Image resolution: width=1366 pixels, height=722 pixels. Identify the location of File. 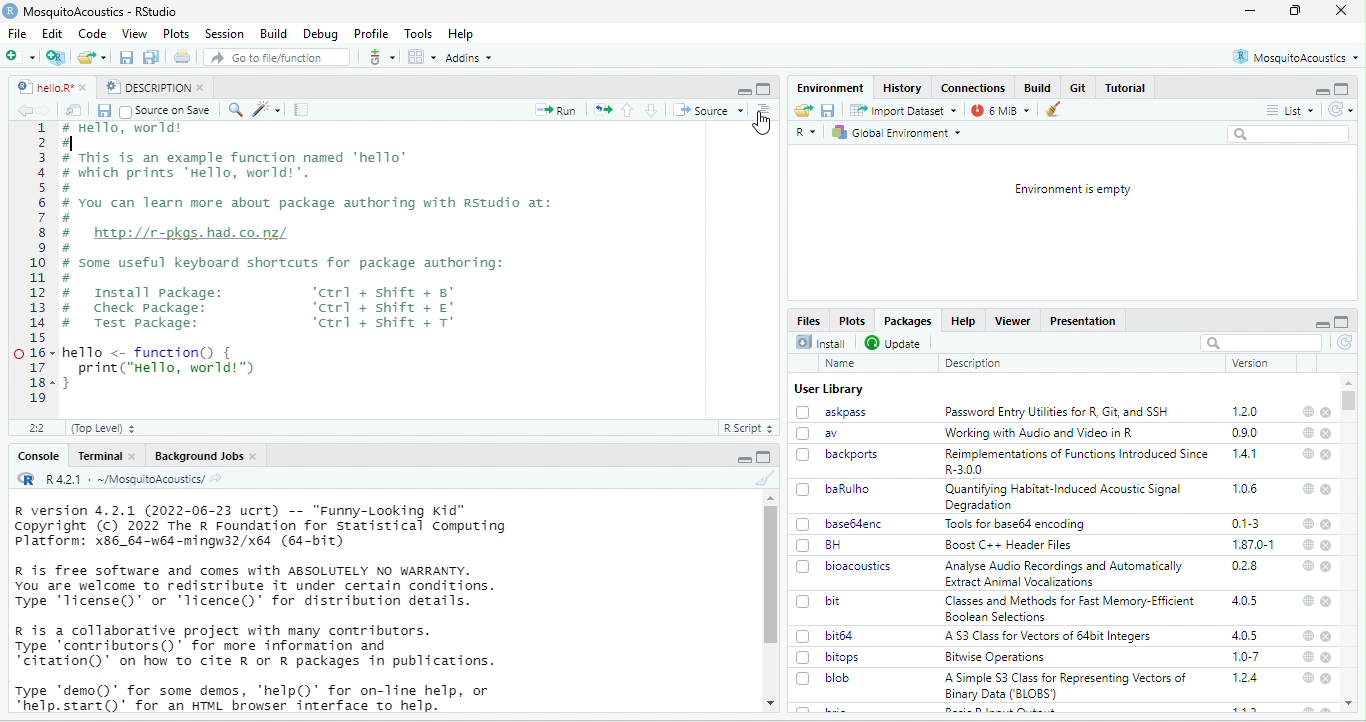
(21, 33).